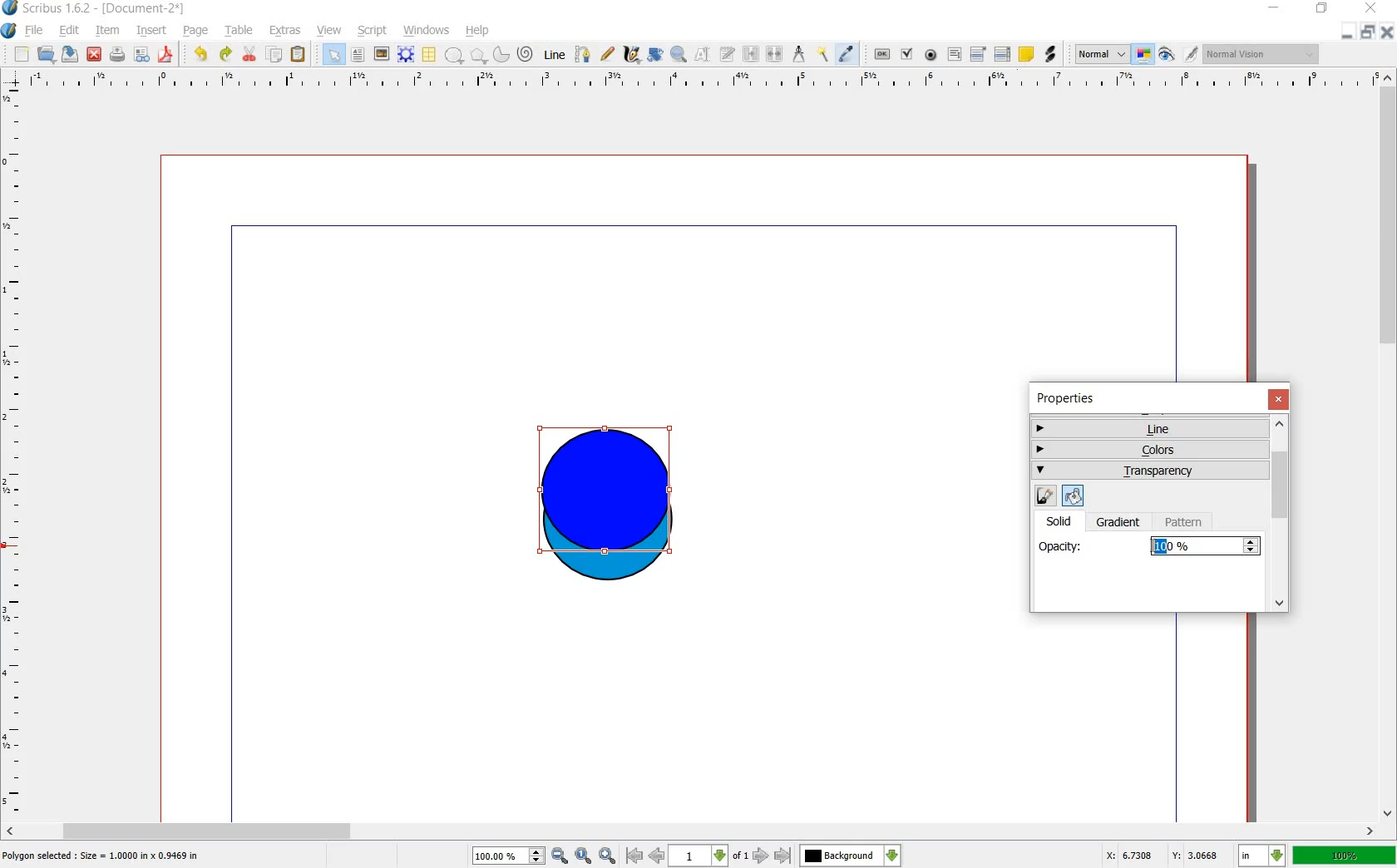  What do you see at coordinates (298, 54) in the screenshot?
I see `paste` at bounding box center [298, 54].